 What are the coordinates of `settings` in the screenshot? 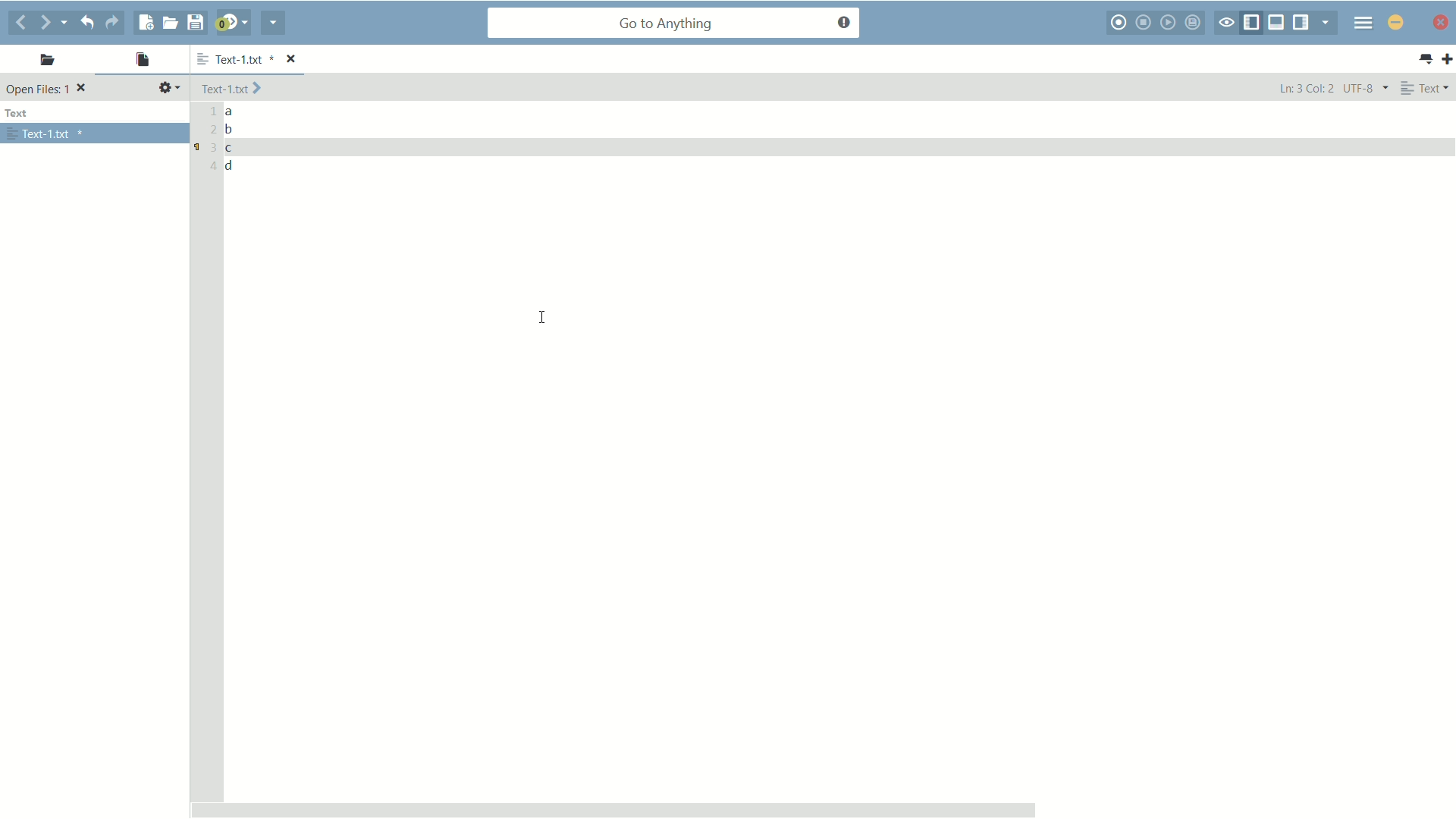 It's located at (169, 88).